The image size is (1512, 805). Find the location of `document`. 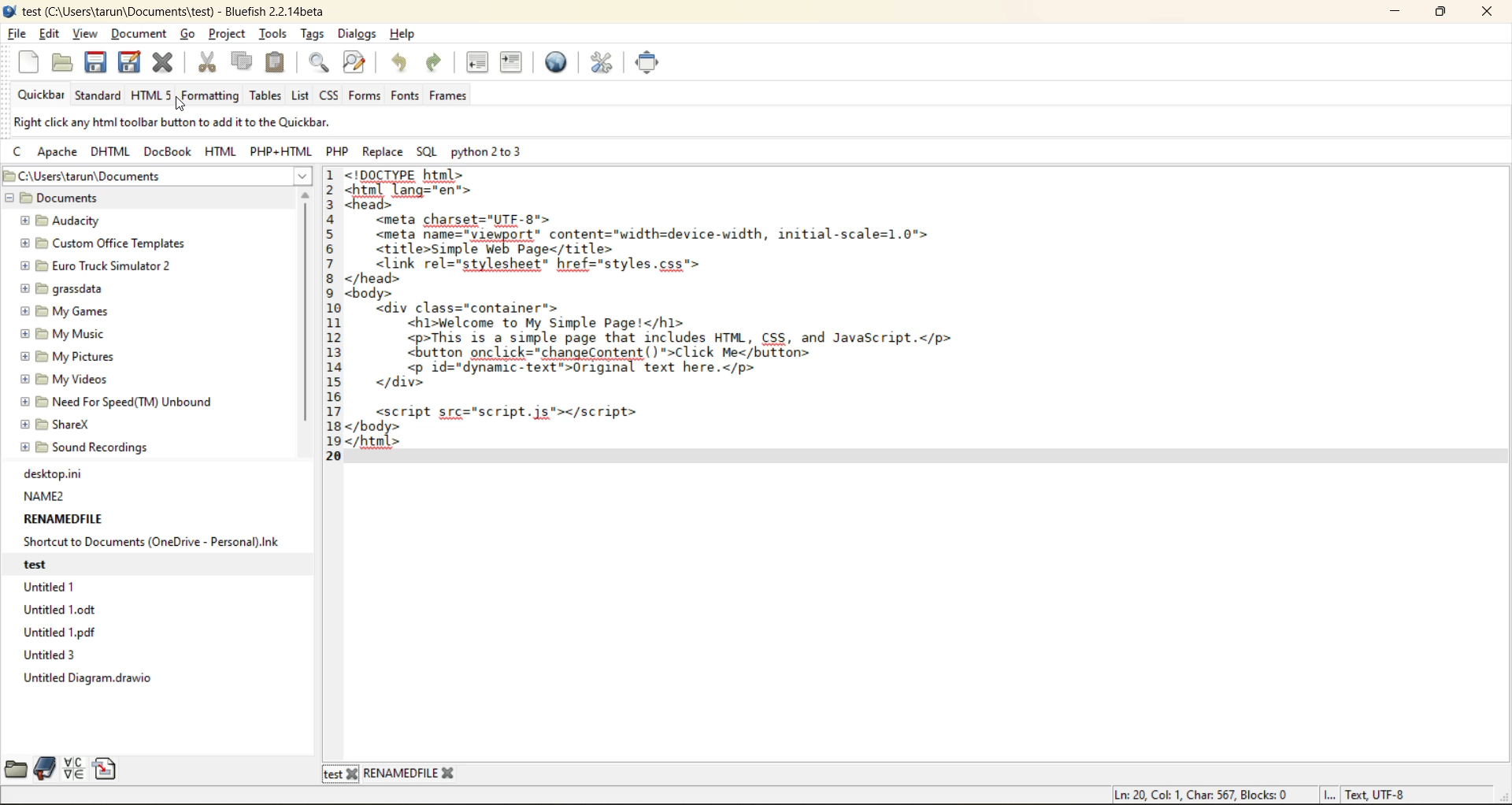

document is located at coordinates (141, 34).